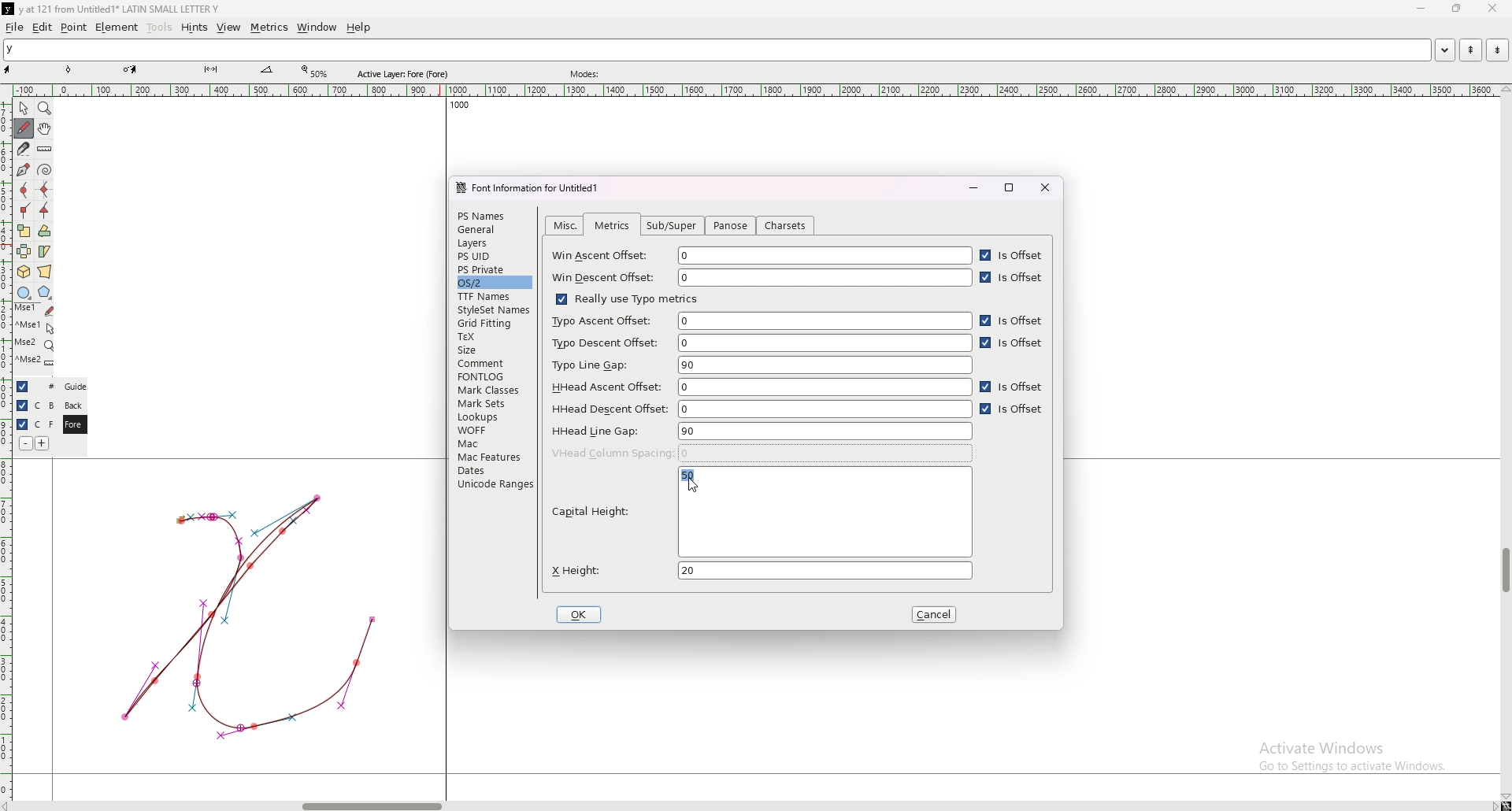 Image resolution: width=1512 pixels, height=811 pixels. I want to click on capital height 50, so click(760, 514).